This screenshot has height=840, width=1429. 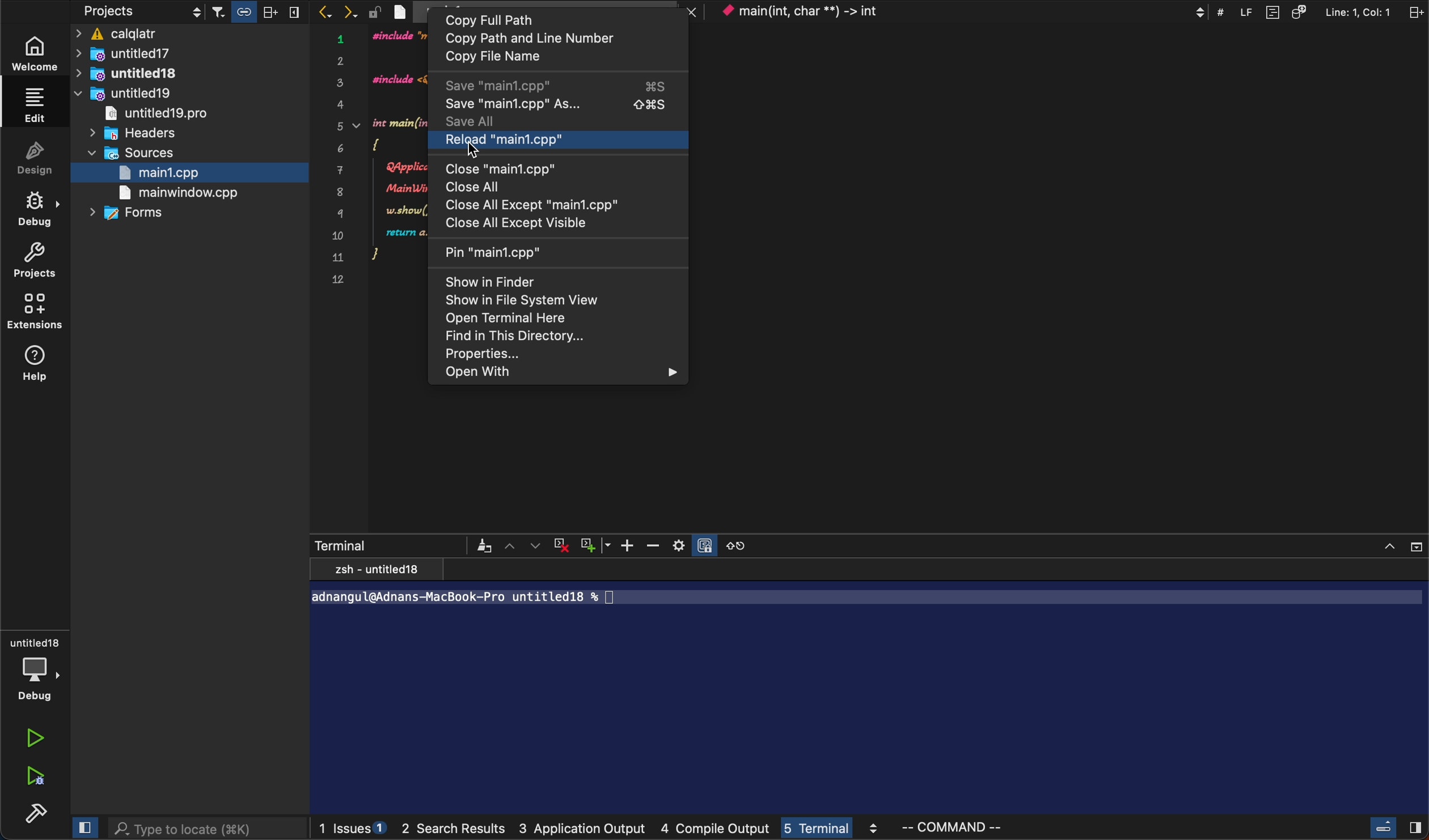 What do you see at coordinates (126, 94) in the screenshot?
I see `untitled19` at bounding box center [126, 94].